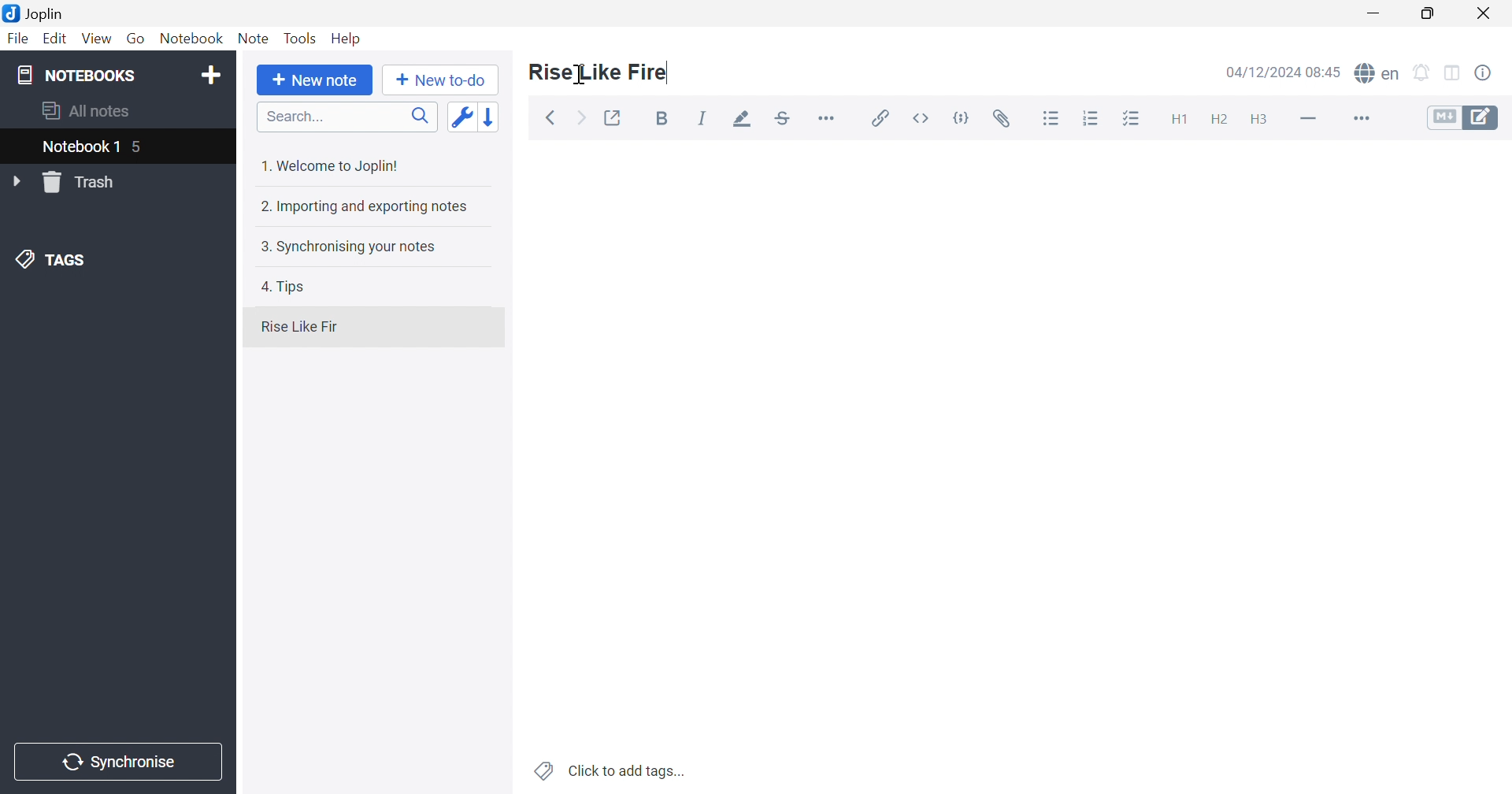  Describe the element at coordinates (314, 80) in the screenshot. I see `New note` at that location.